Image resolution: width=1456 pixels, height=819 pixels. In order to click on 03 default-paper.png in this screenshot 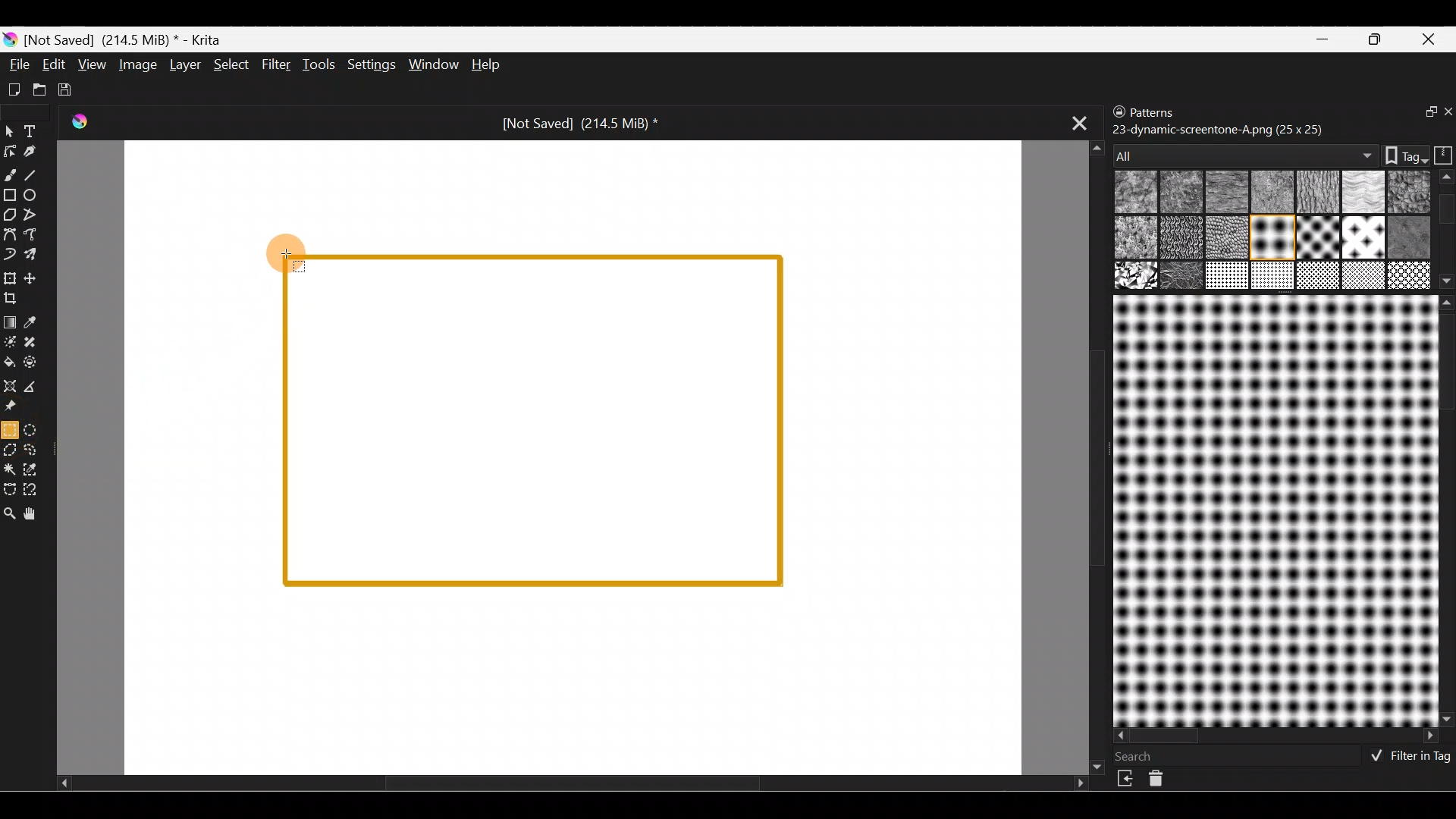, I will do `click(1269, 193)`.